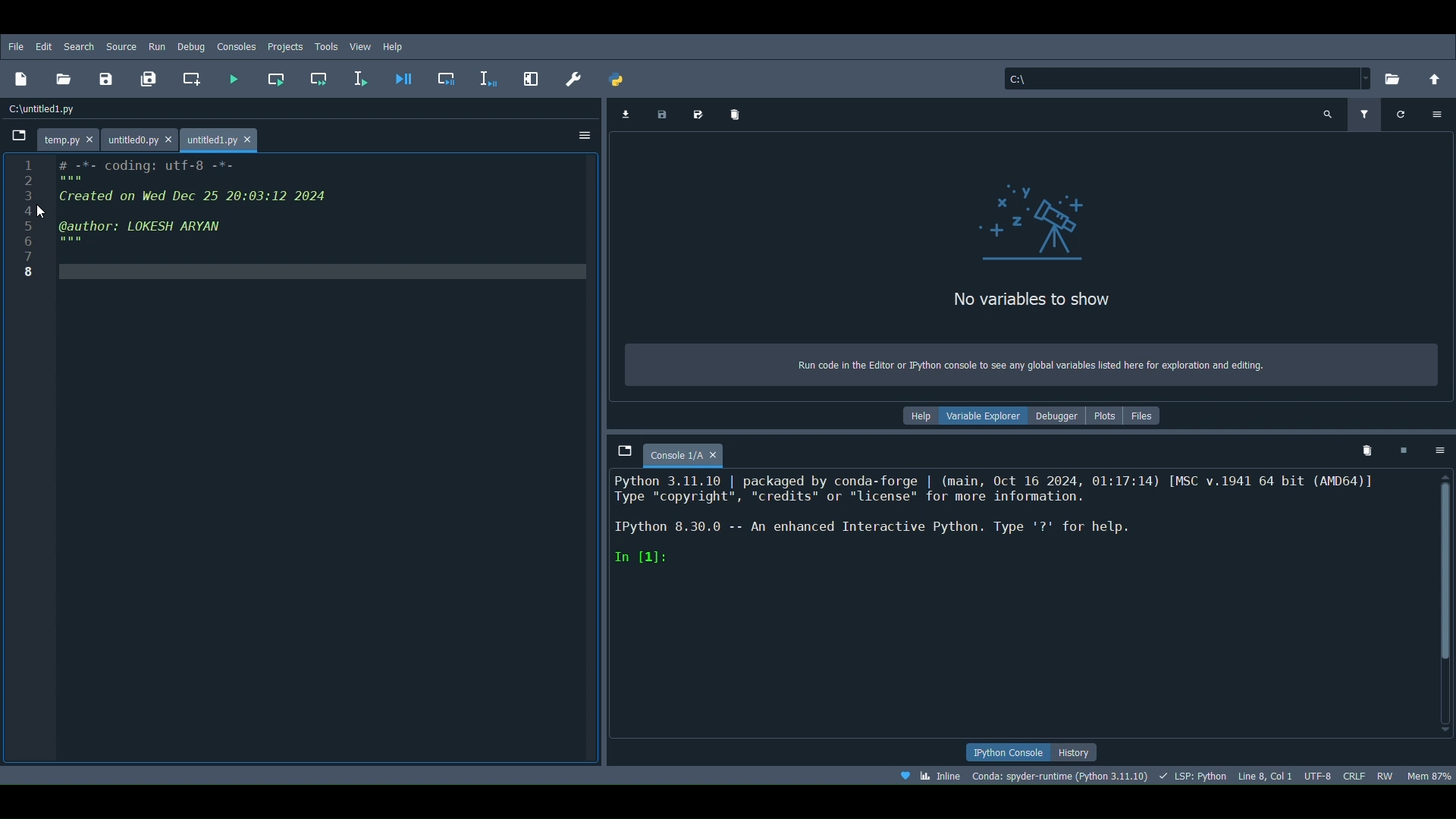 This screenshot has width=1456, height=819. What do you see at coordinates (152, 76) in the screenshot?
I see `Save all files (Ctrl + Alt + S)` at bounding box center [152, 76].